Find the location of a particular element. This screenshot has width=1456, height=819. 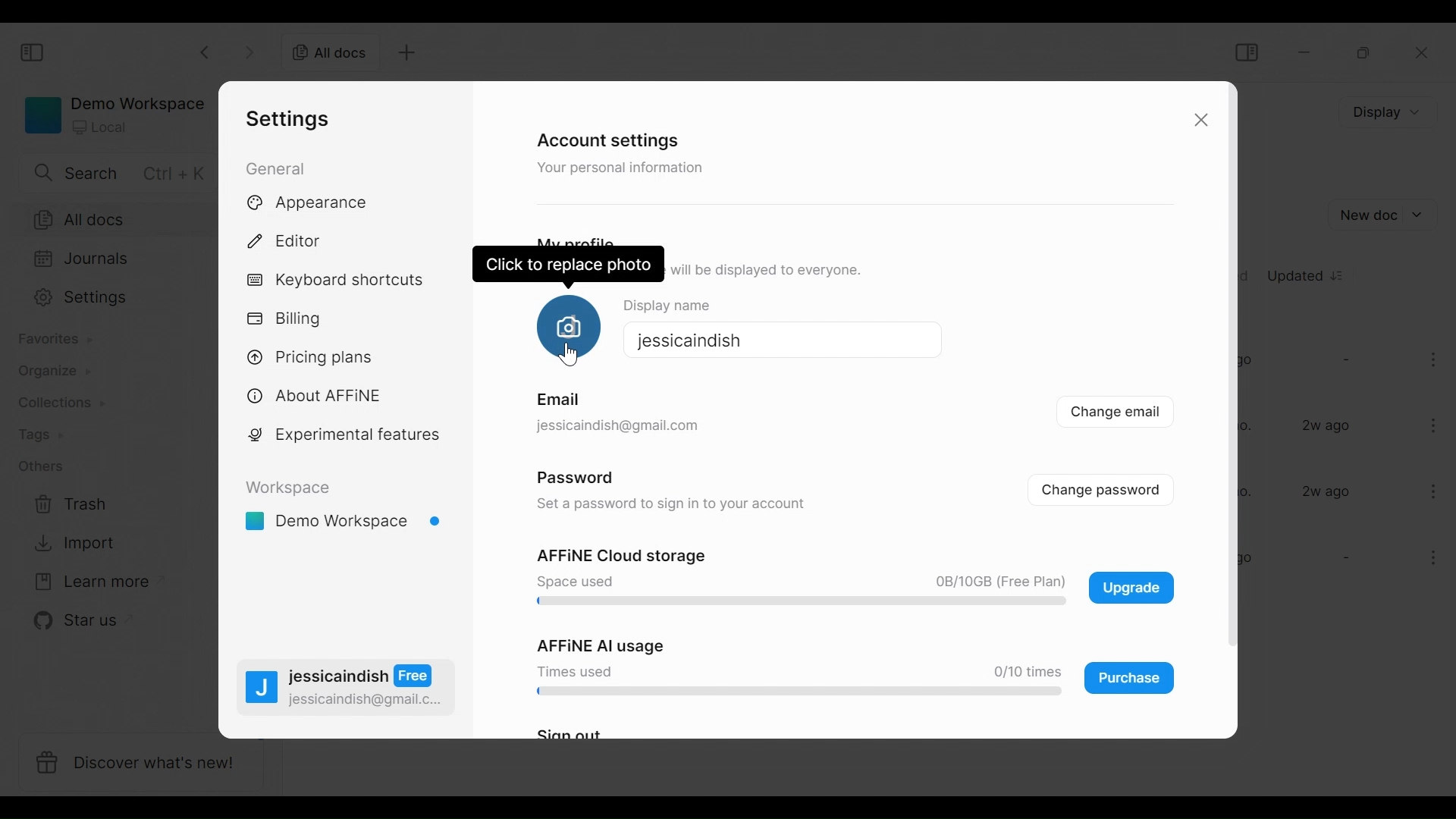

Experimental features is located at coordinates (344, 435).